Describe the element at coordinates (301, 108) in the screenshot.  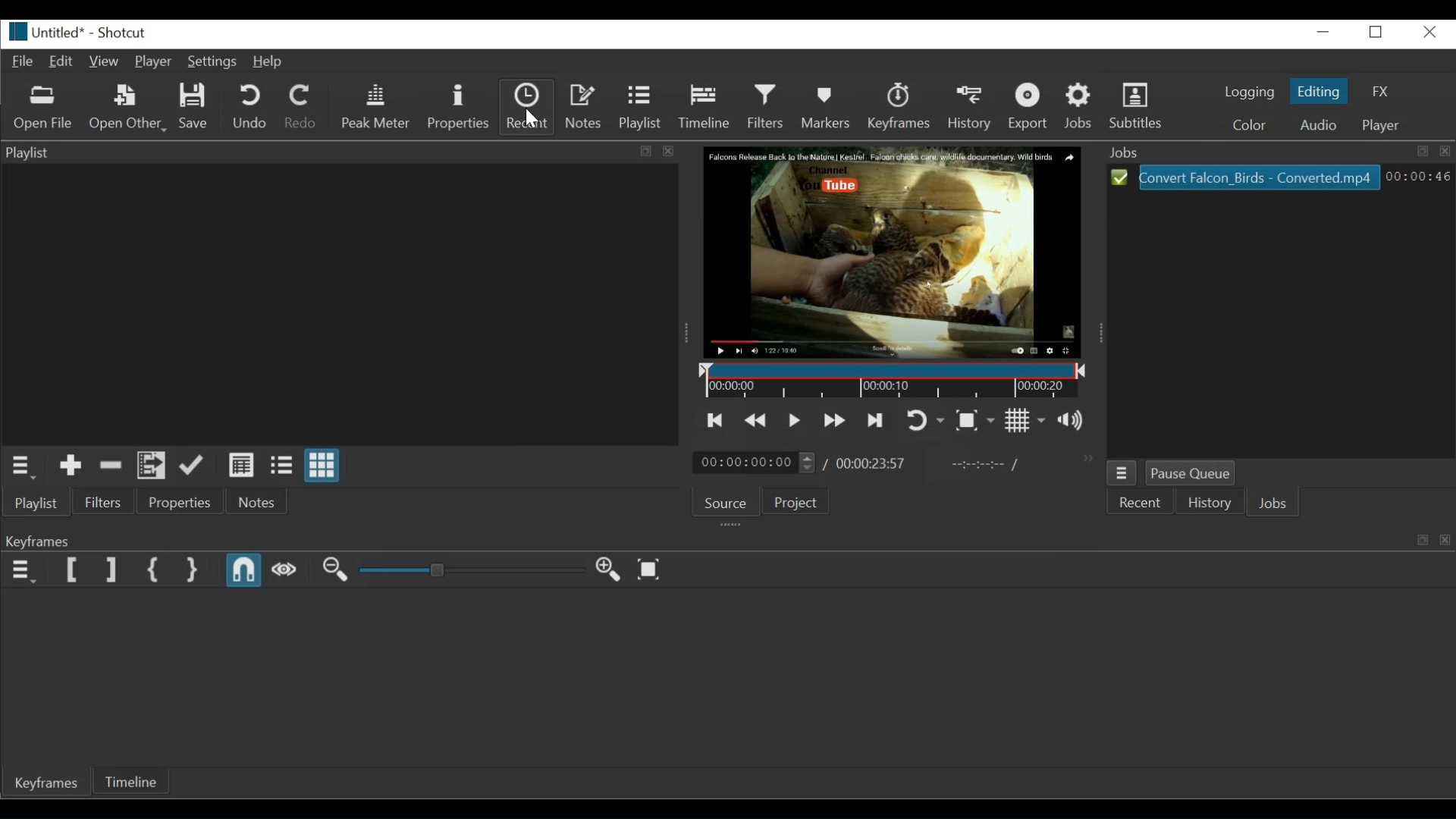
I see `Redo` at that location.